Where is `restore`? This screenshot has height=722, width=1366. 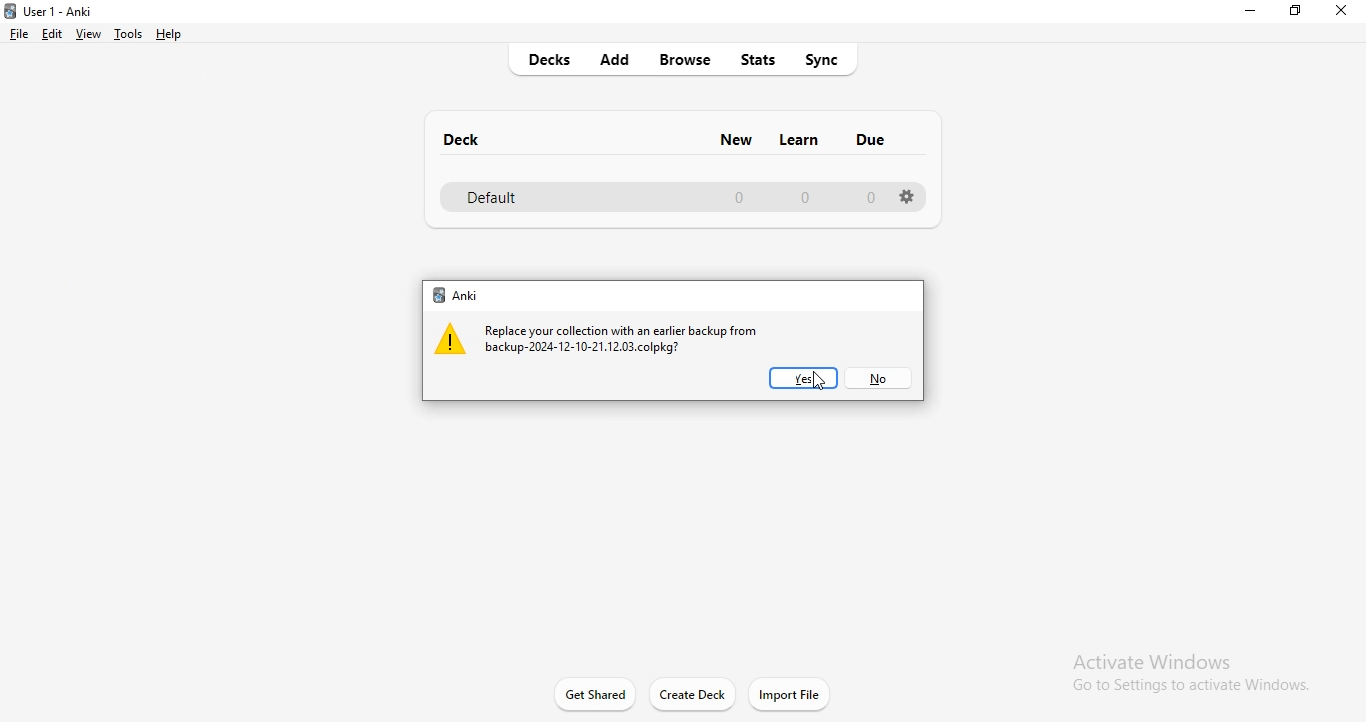
restore is located at coordinates (1298, 15).